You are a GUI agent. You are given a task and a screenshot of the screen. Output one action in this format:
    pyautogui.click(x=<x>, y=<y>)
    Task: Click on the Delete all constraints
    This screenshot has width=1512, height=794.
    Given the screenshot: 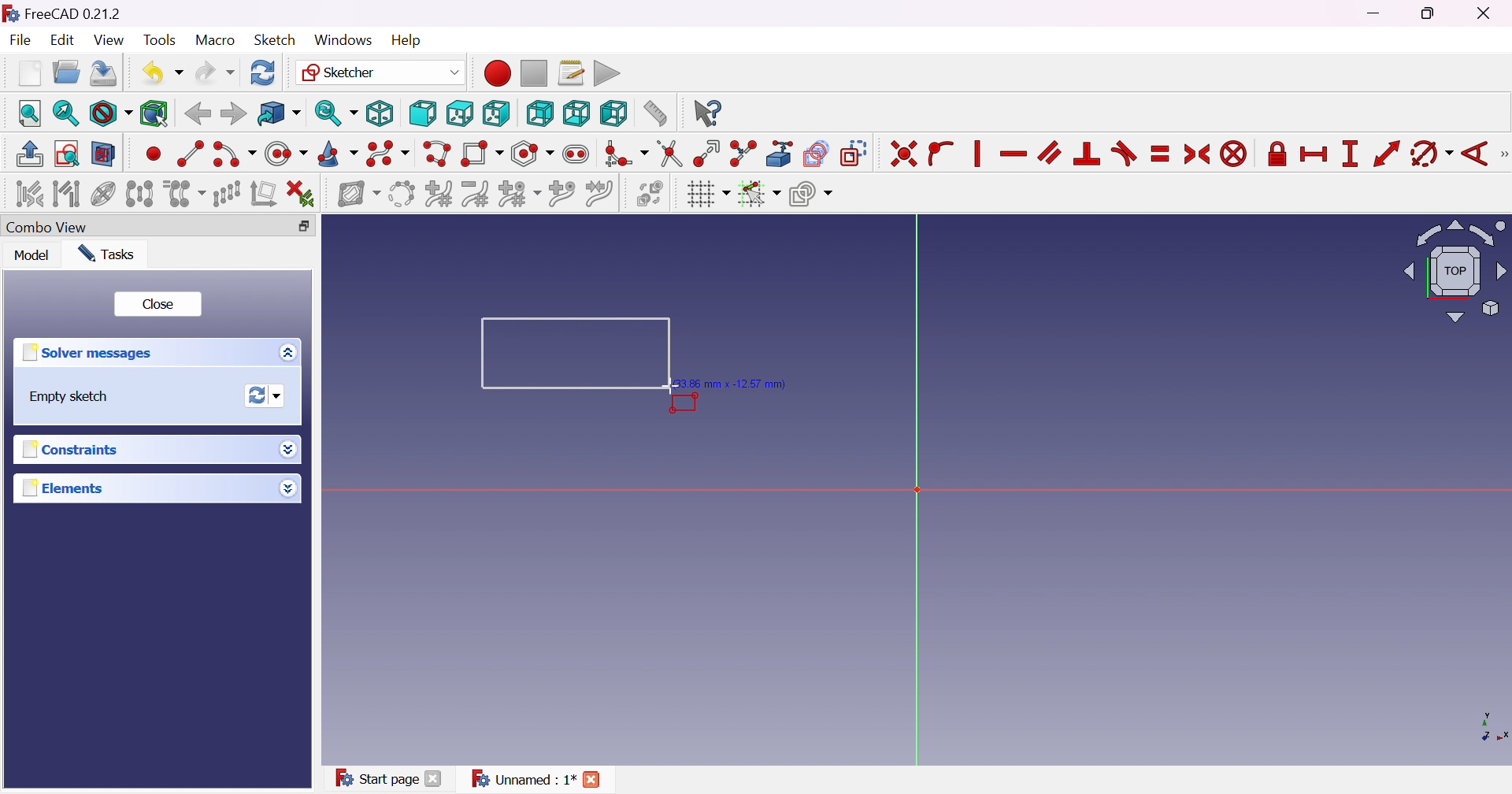 What is the action you would take?
    pyautogui.click(x=301, y=195)
    